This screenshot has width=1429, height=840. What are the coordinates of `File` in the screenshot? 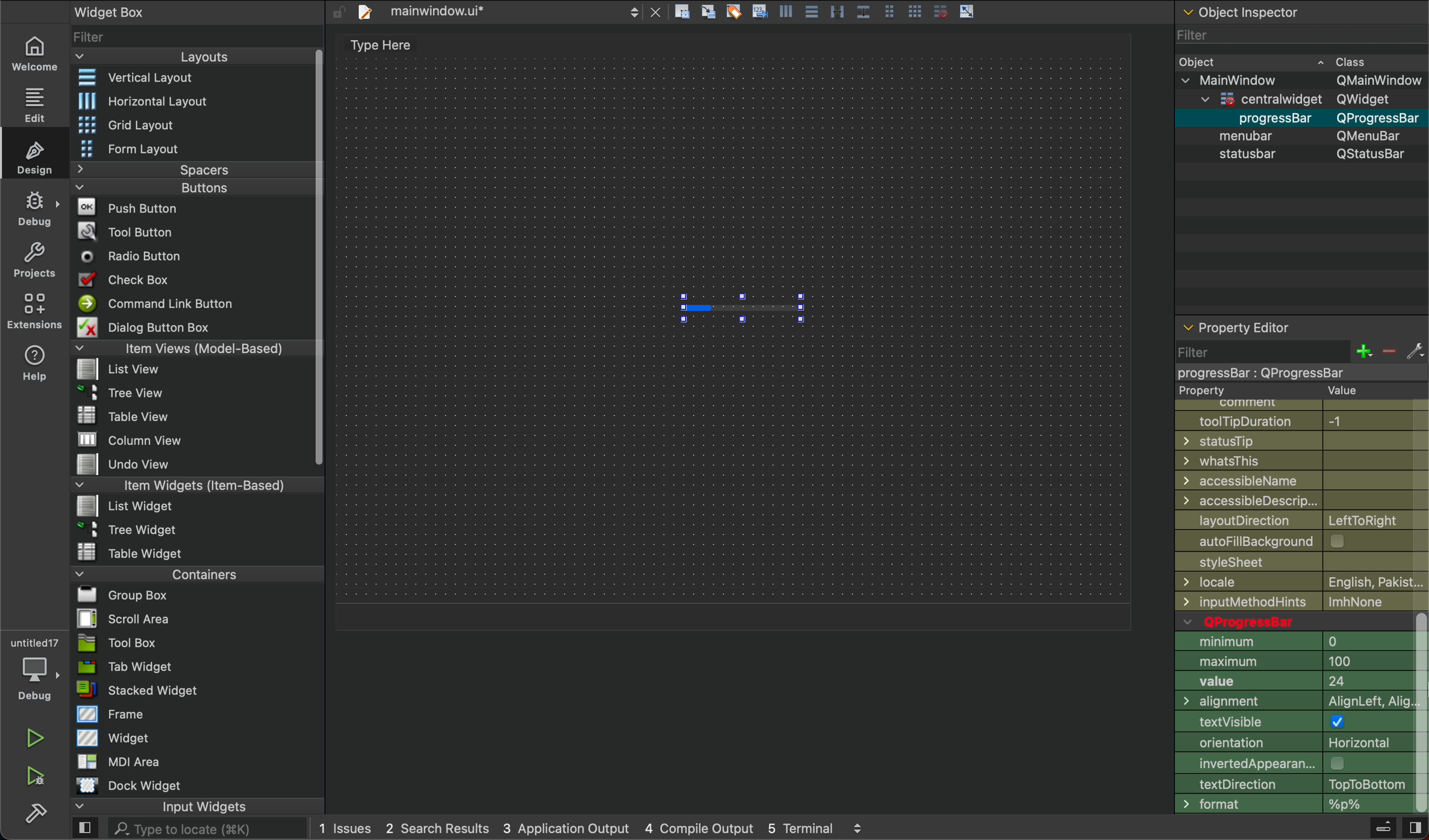 It's located at (121, 391).